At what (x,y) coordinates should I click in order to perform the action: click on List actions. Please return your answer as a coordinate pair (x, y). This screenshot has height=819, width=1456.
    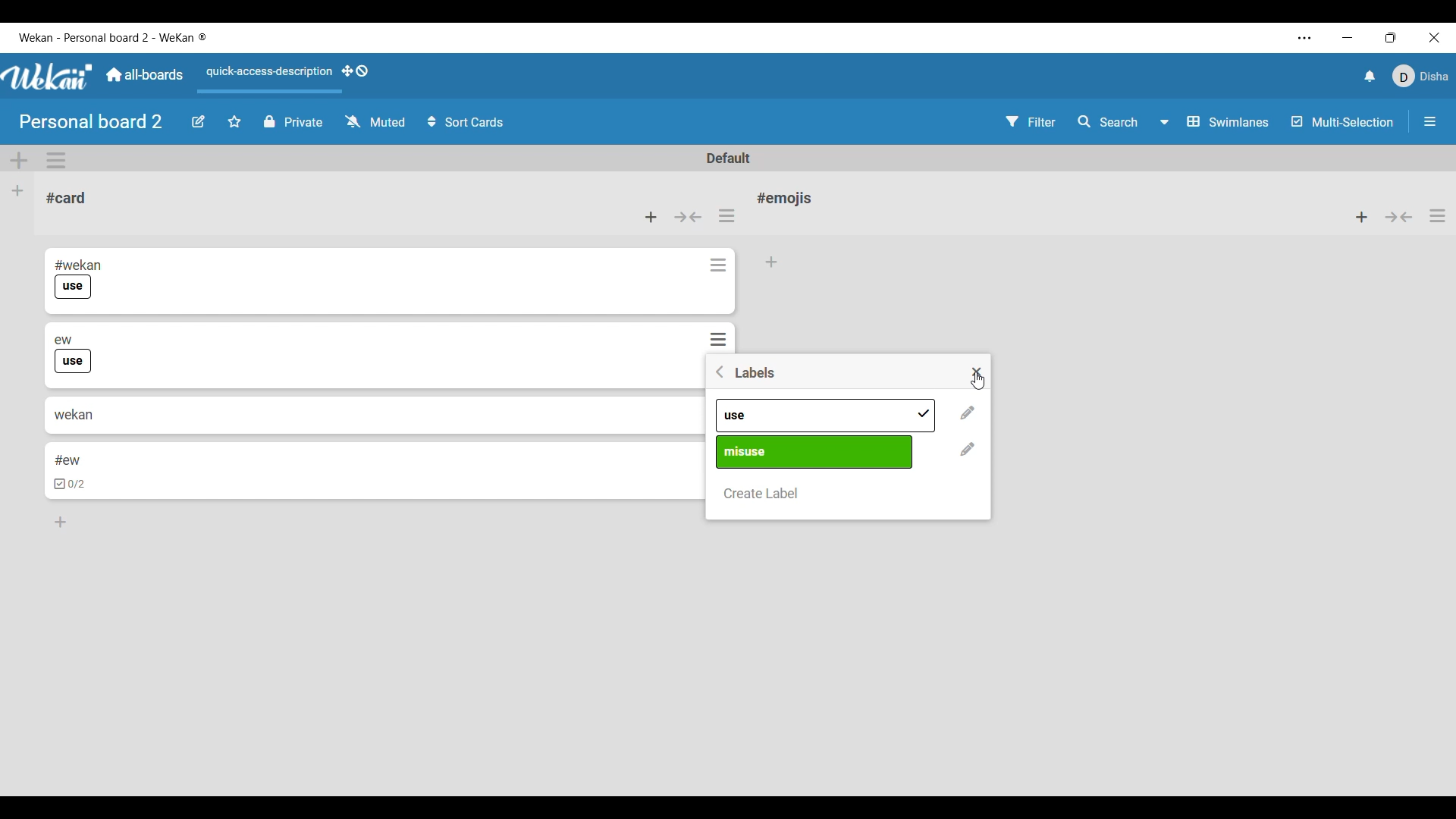
    Looking at the image, I should click on (726, 215).